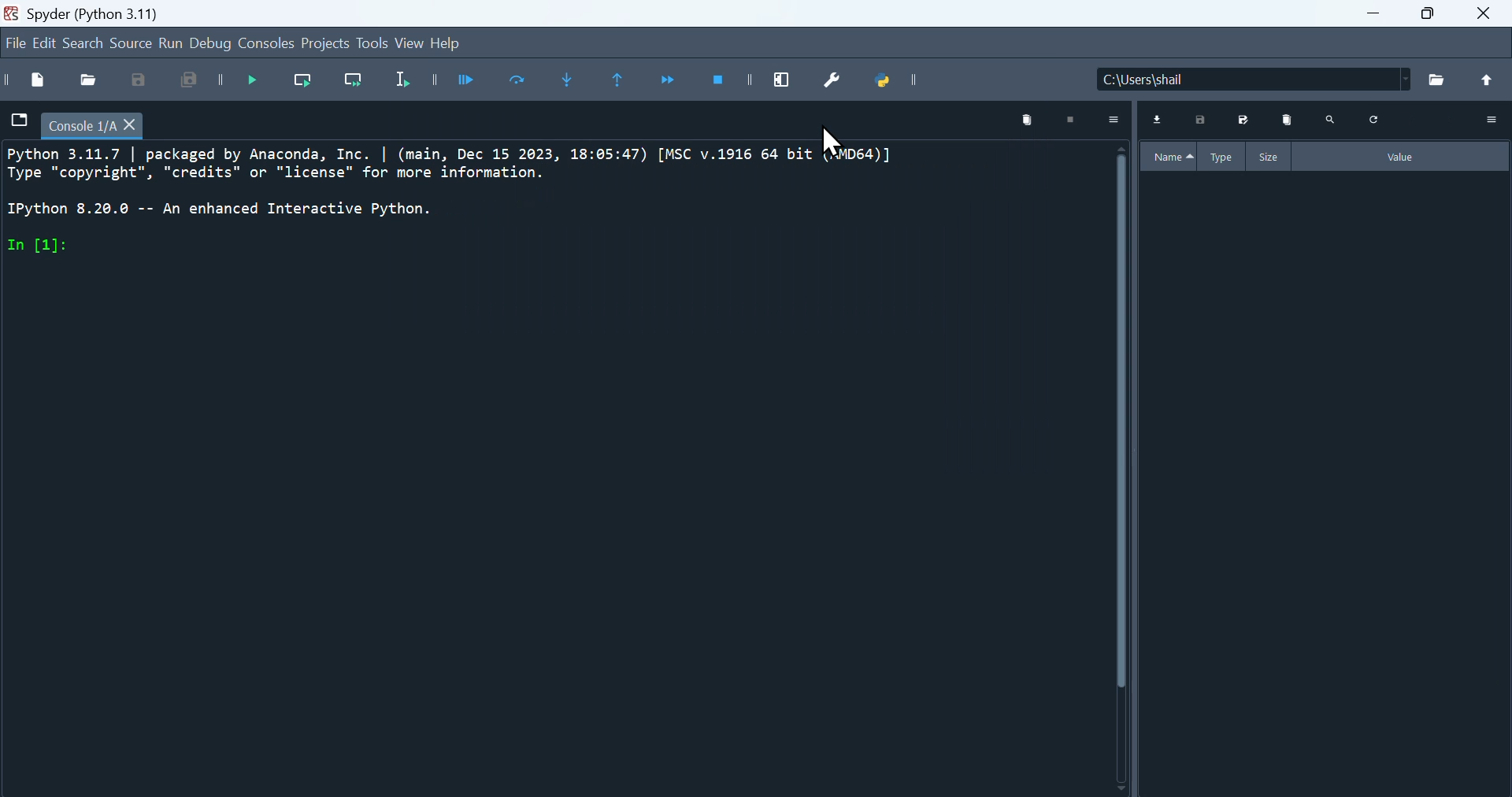 This screenshot has width=1512, height=797. I want to click on Size, so click(1270, 157).